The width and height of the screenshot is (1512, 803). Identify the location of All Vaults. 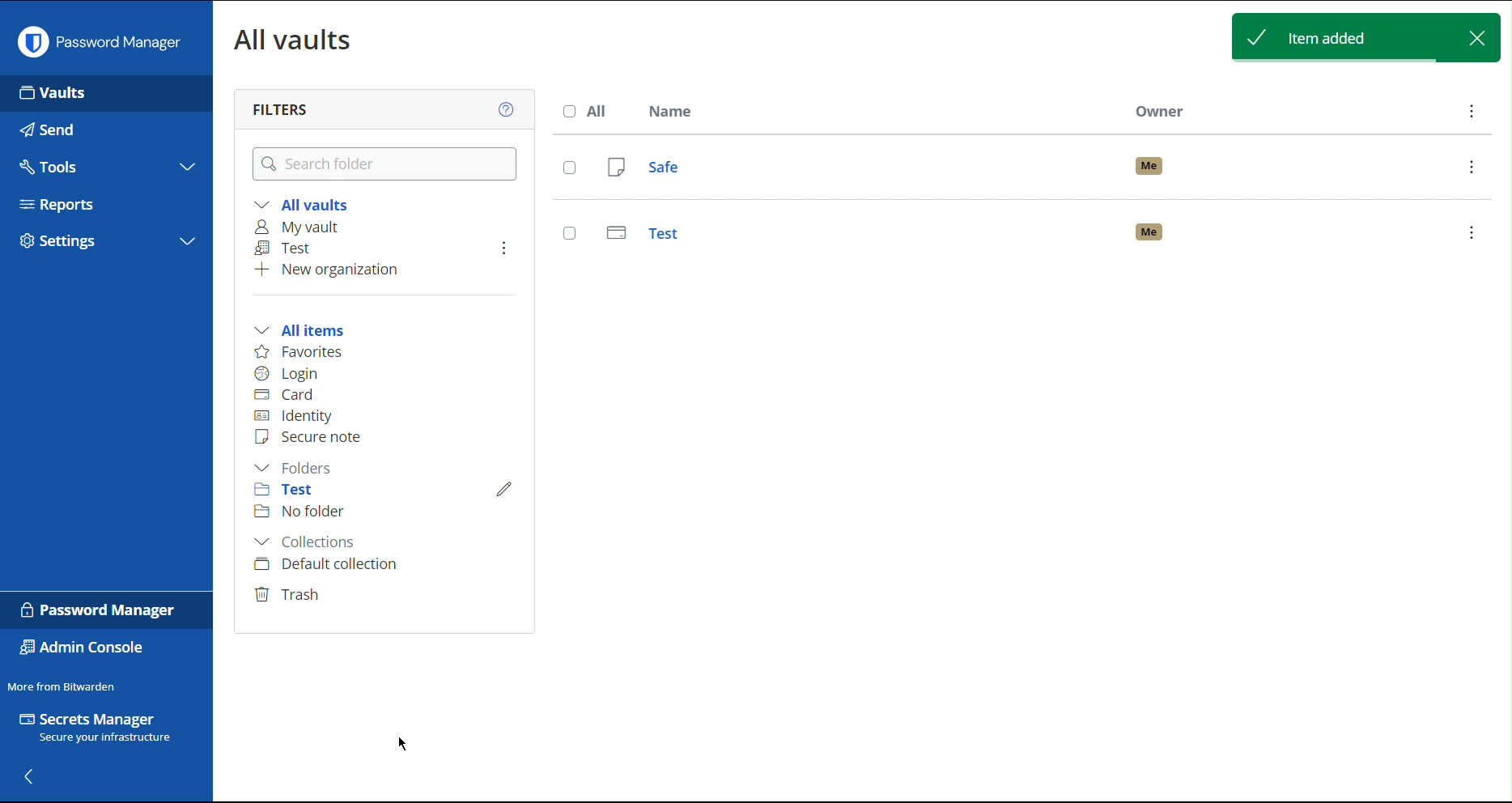
(296, 38).